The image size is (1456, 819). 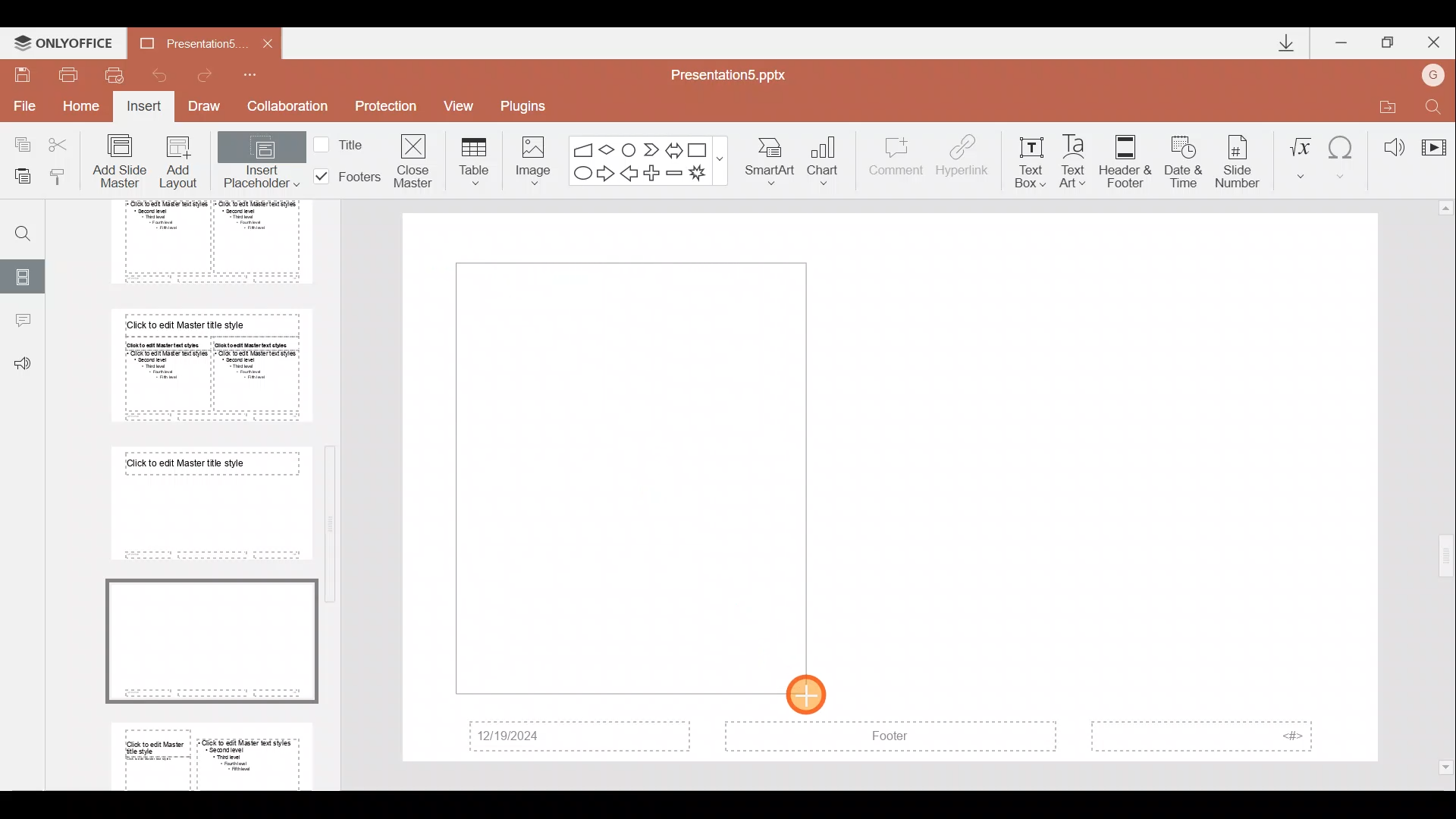 What do you see at coordinates (1077, 157) in the screenshot?
I see `Text Art` at bounding box center [1077, 157].